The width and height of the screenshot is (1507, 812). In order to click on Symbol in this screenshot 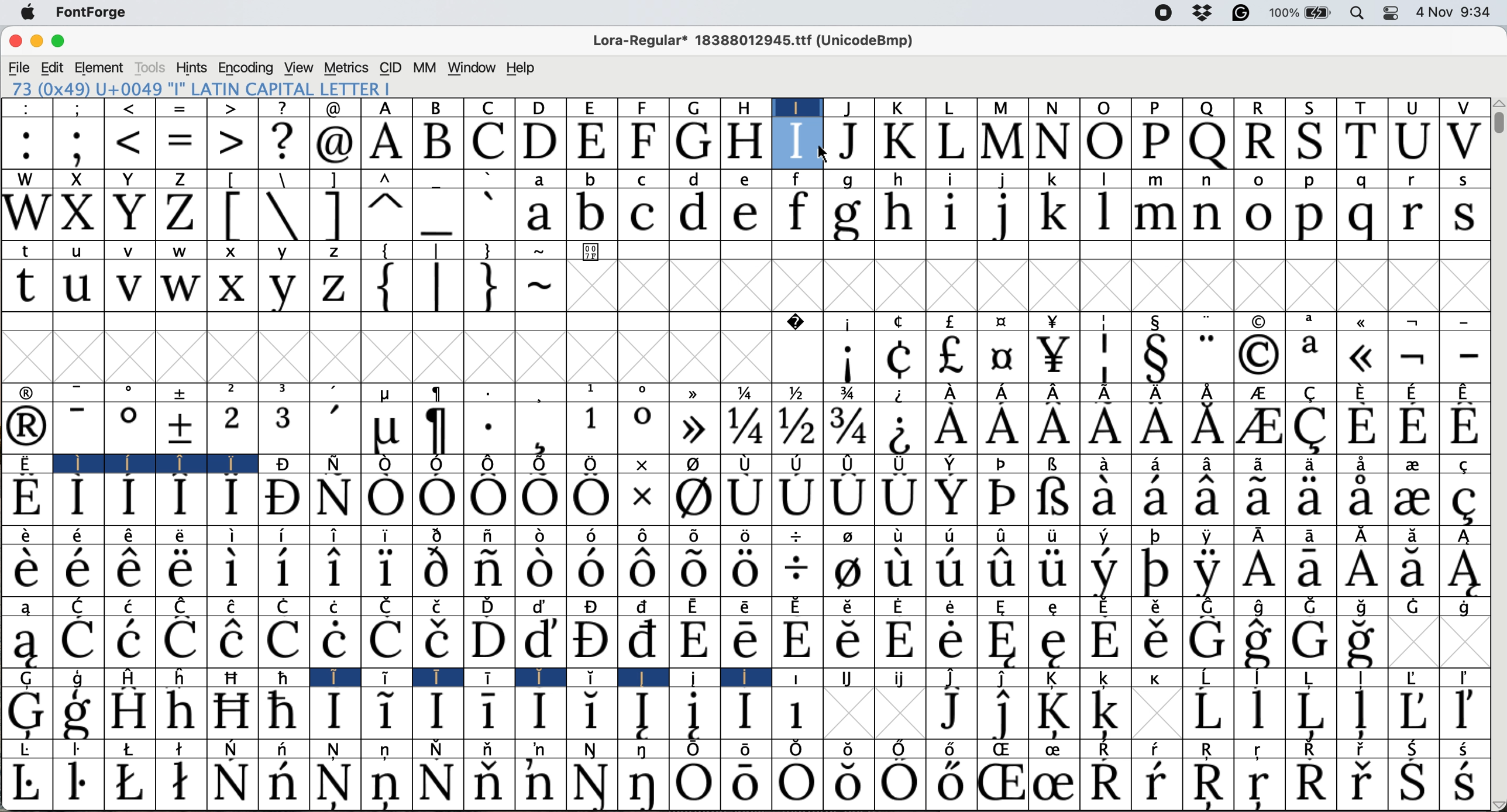, I will do `click(745, 749)`.